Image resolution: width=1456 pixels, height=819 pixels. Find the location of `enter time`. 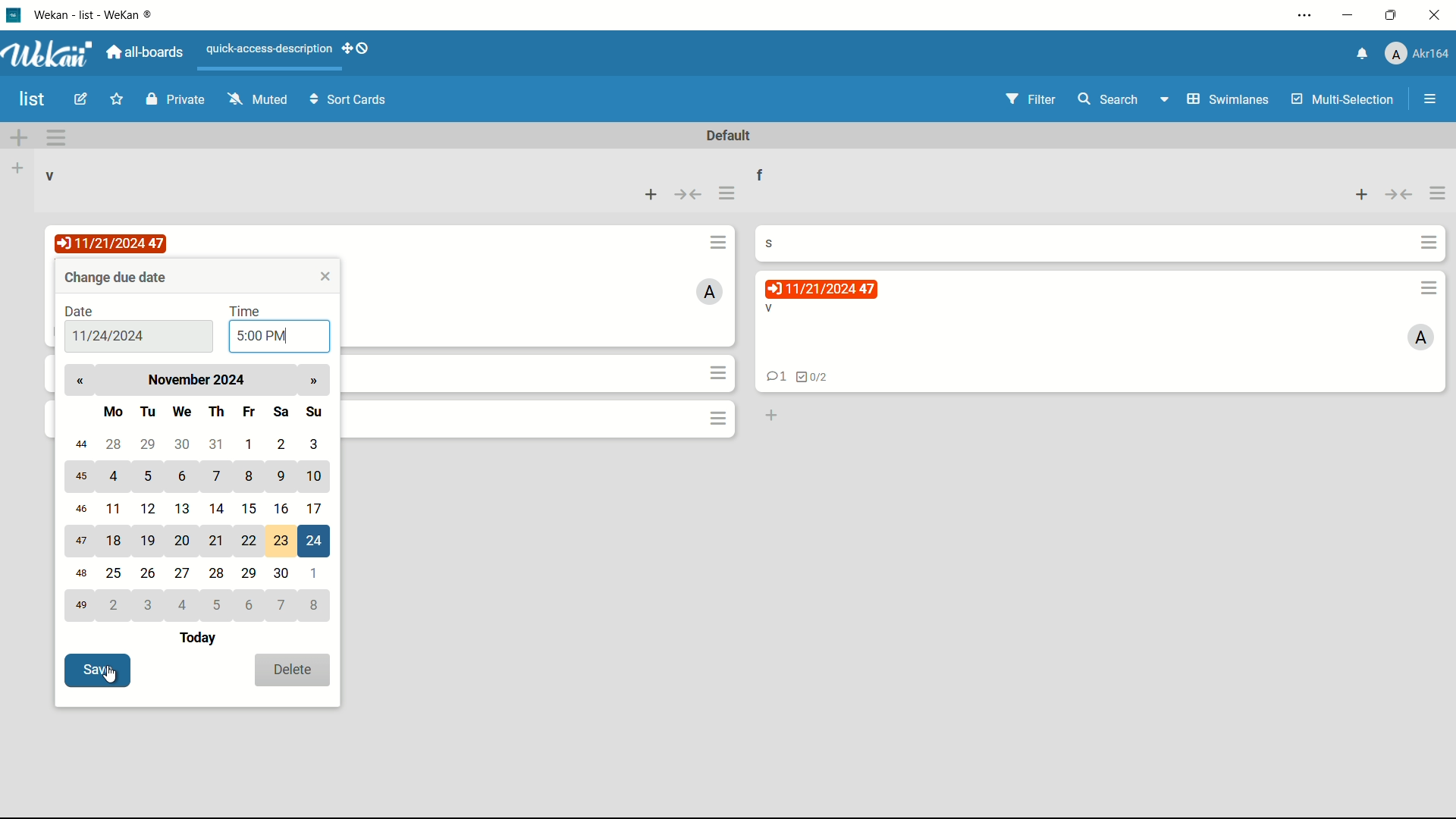

enter time is located at coordinates (262, 337).